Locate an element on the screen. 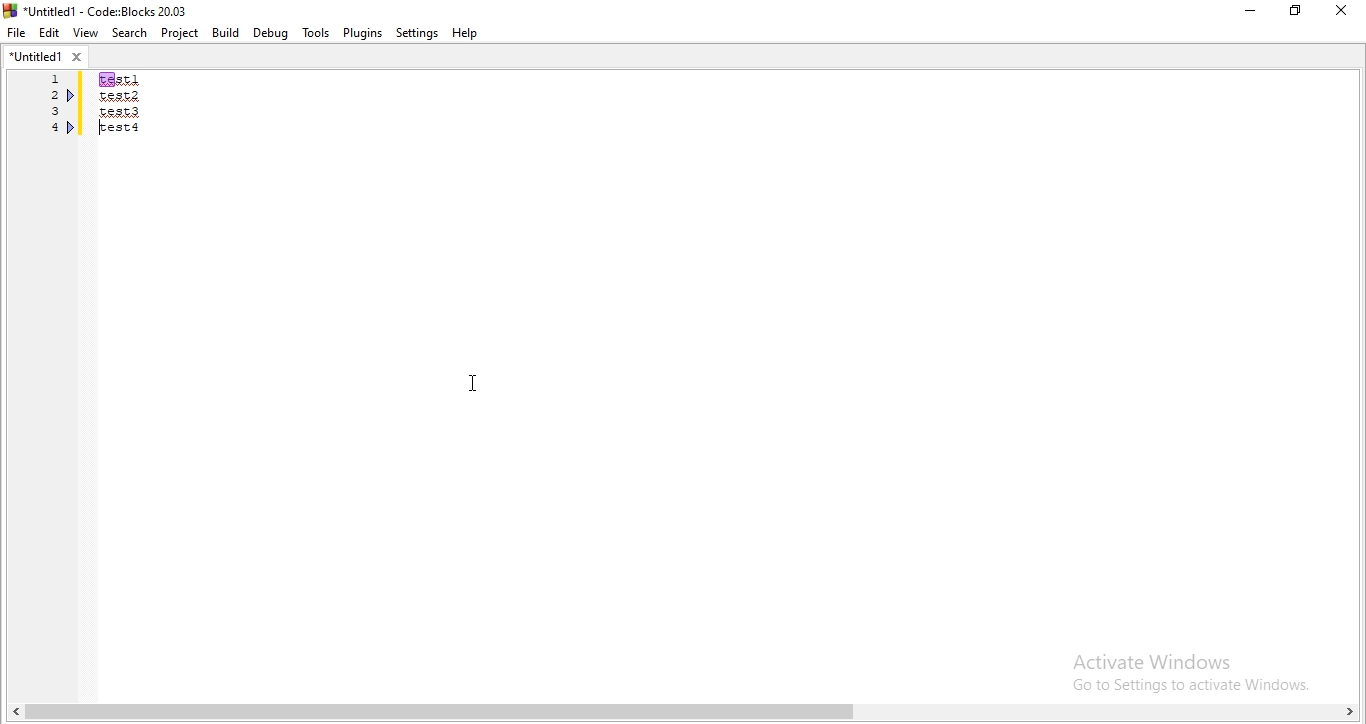  Edit  is located at coordinates (50, 33).